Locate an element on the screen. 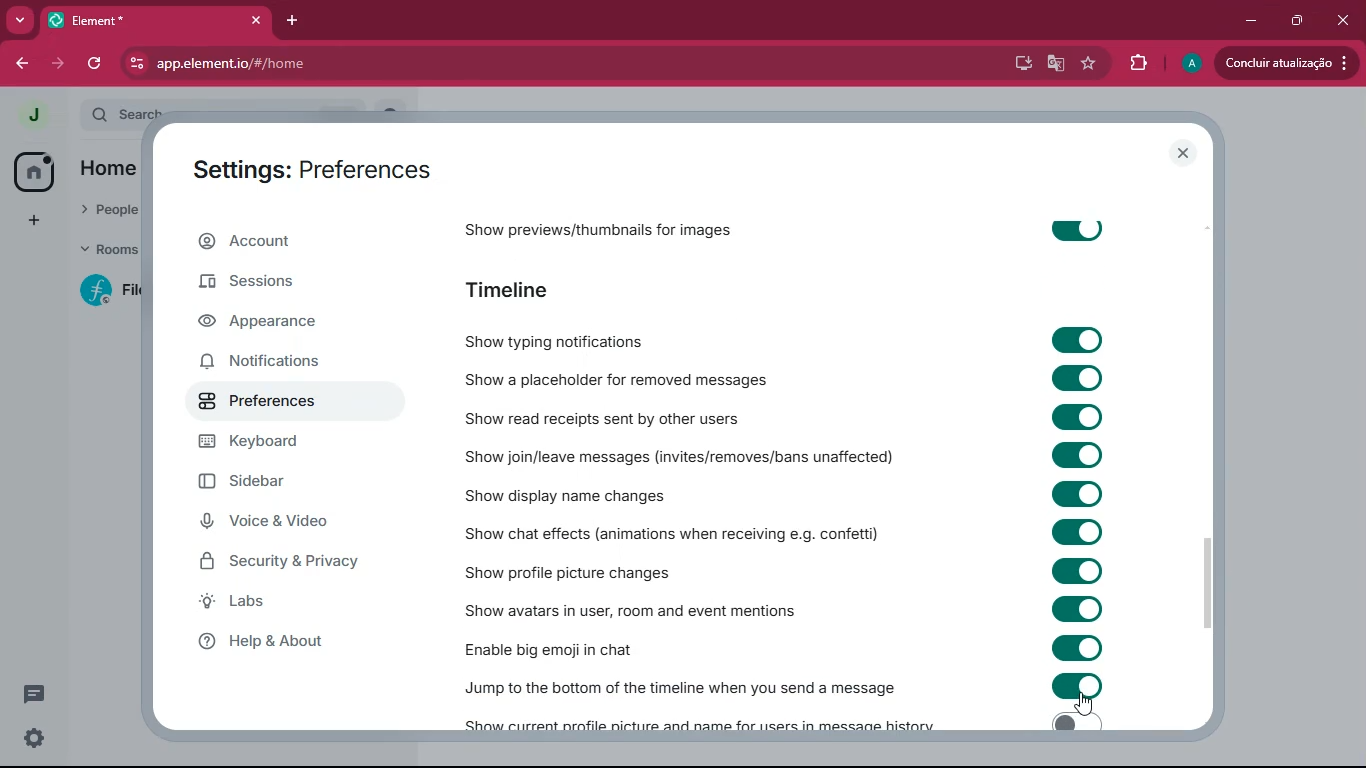 This screenshot has width=1366, height=768. settings is located at coordinates (37, 739).